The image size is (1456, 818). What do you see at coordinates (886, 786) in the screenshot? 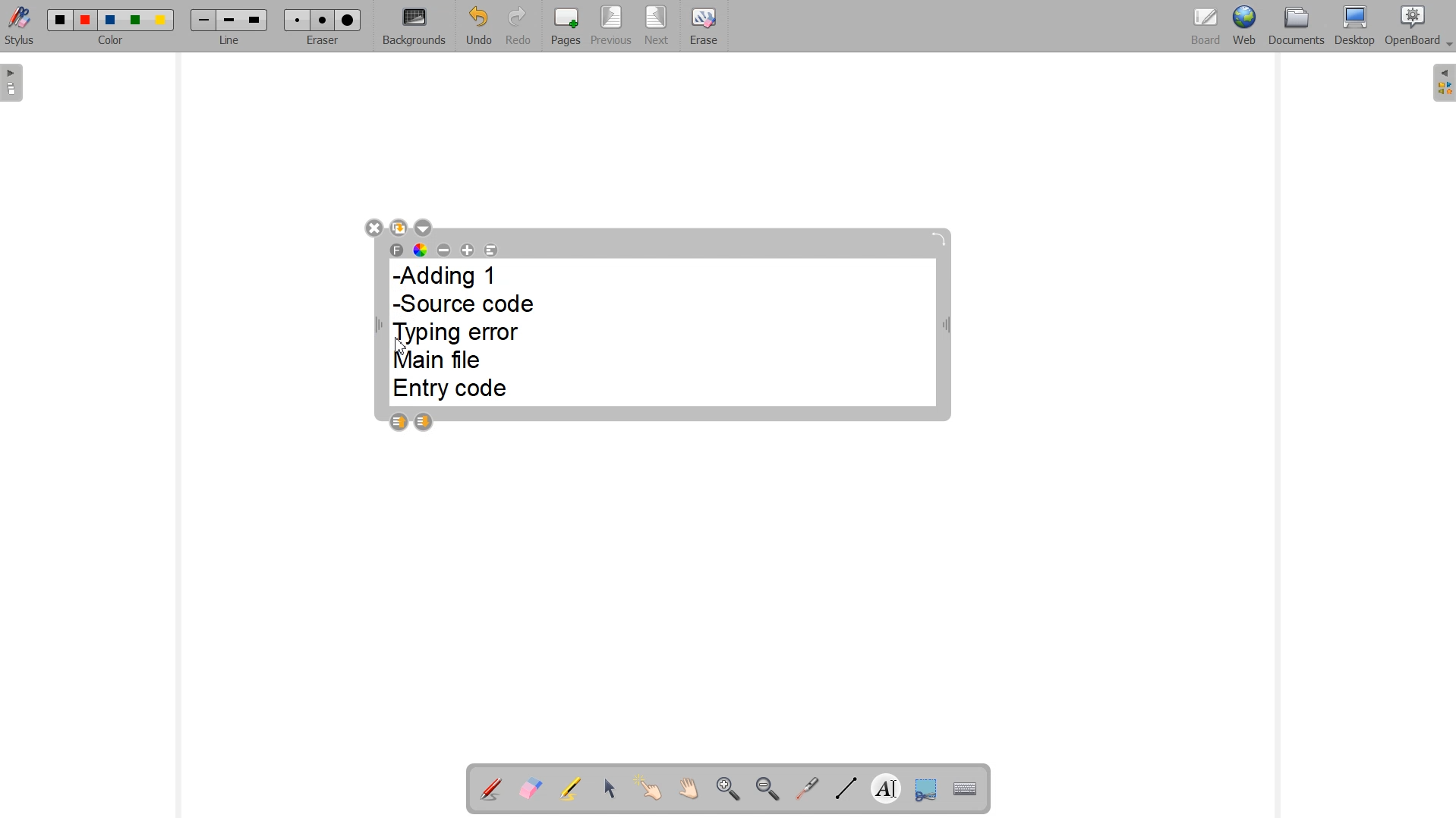
I see `Write text` at bounding box center [886, 786].